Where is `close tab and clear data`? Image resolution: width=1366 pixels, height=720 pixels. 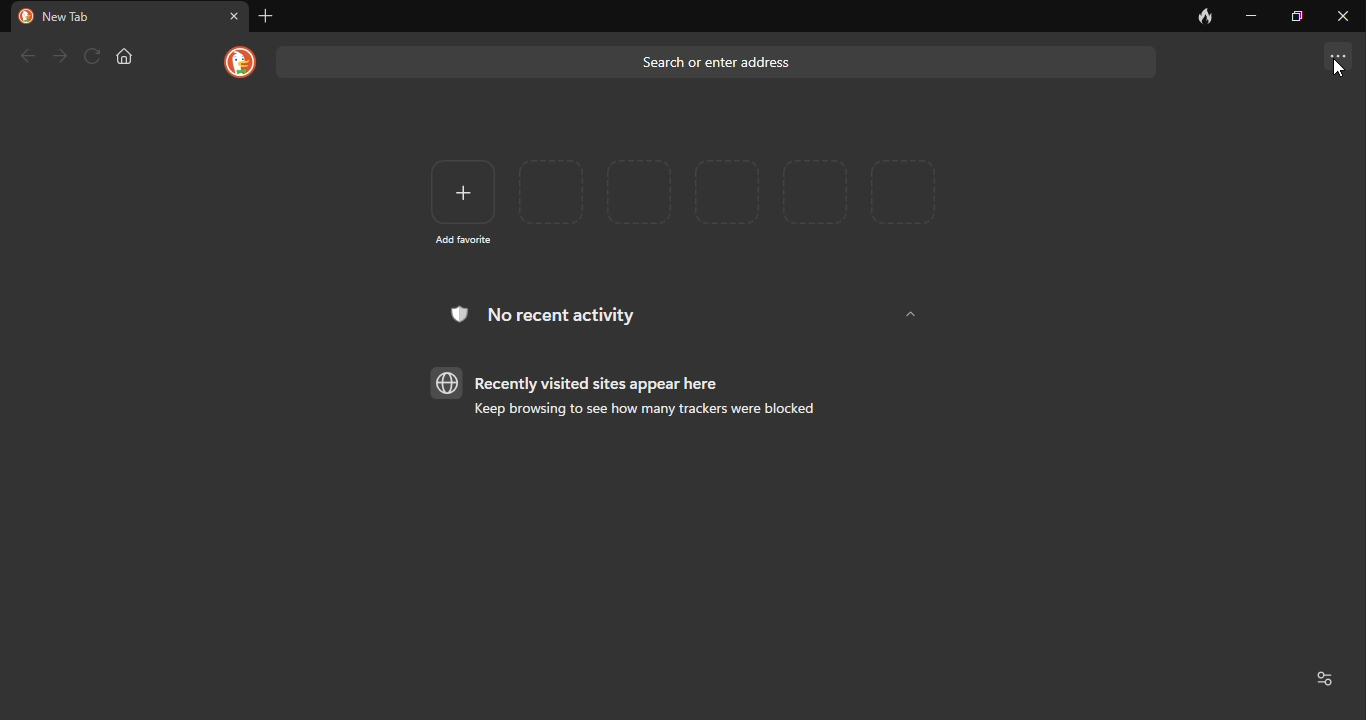
close tab and clear data is located at coordinates (1205, 16).